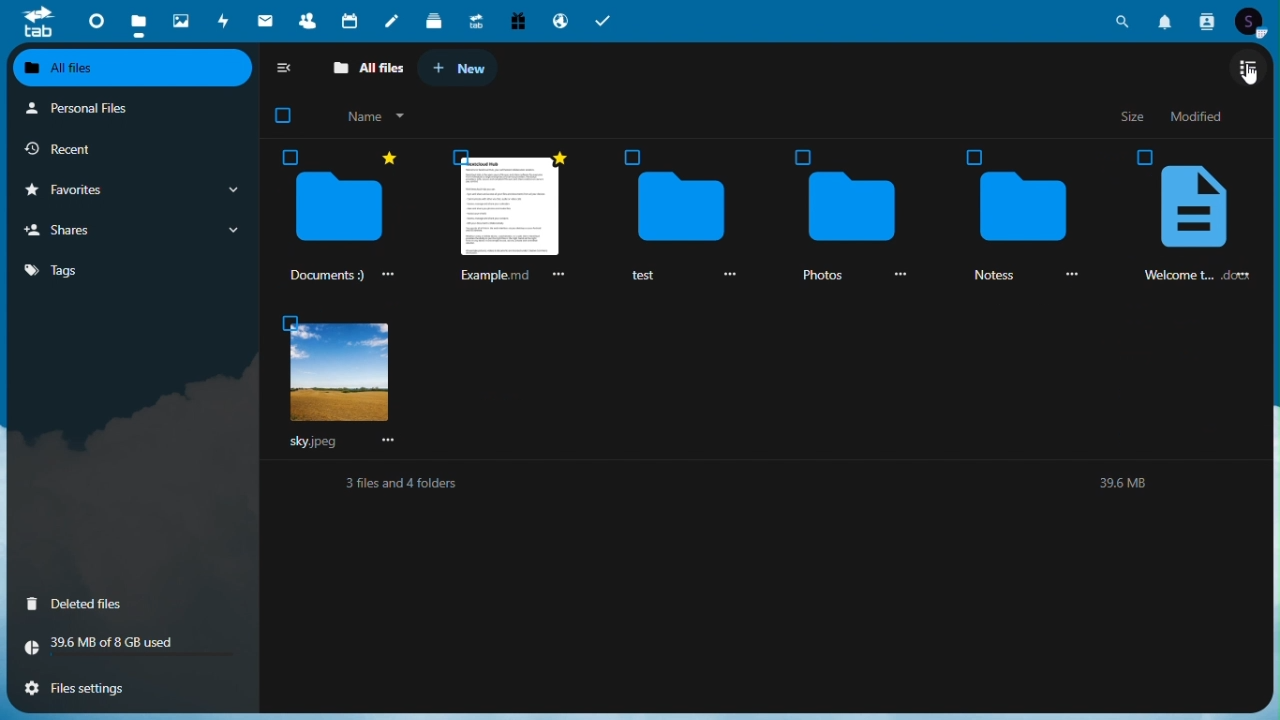 The width and height of the screenshot is (1280, 720). What do you see at coordinates (130, 190) in the screenshot?
I see `favourites` at bounding box center [130, 190].